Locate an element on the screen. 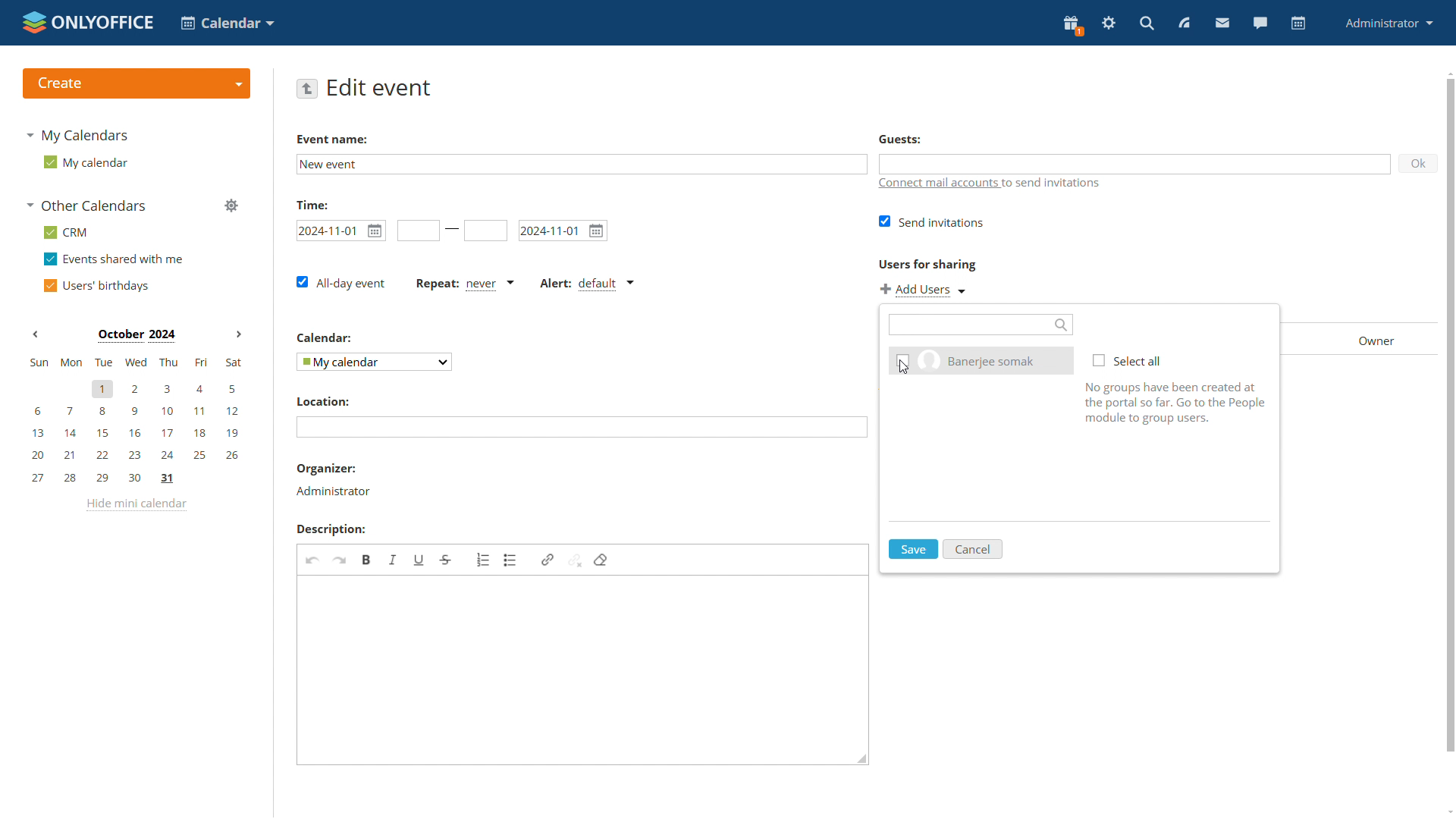 This screenshot has height=819, width=1456. present is located at coordinates (1072, 24).